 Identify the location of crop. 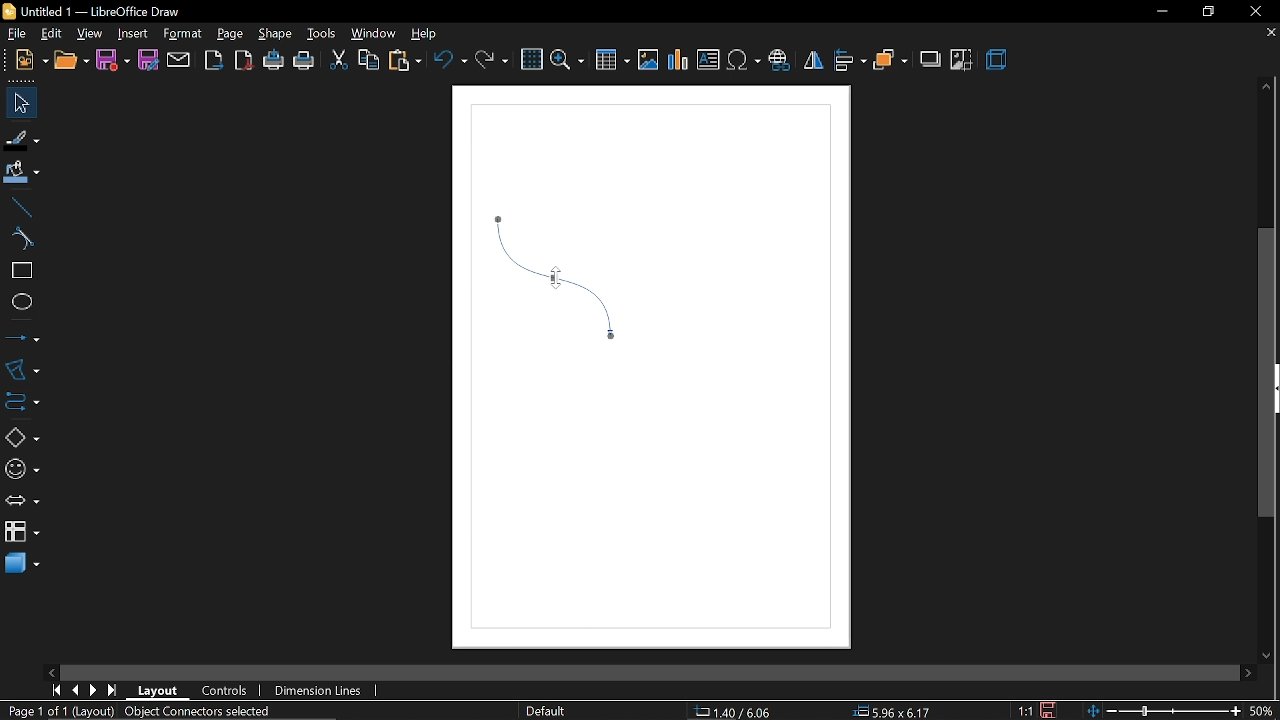
(962, 60).